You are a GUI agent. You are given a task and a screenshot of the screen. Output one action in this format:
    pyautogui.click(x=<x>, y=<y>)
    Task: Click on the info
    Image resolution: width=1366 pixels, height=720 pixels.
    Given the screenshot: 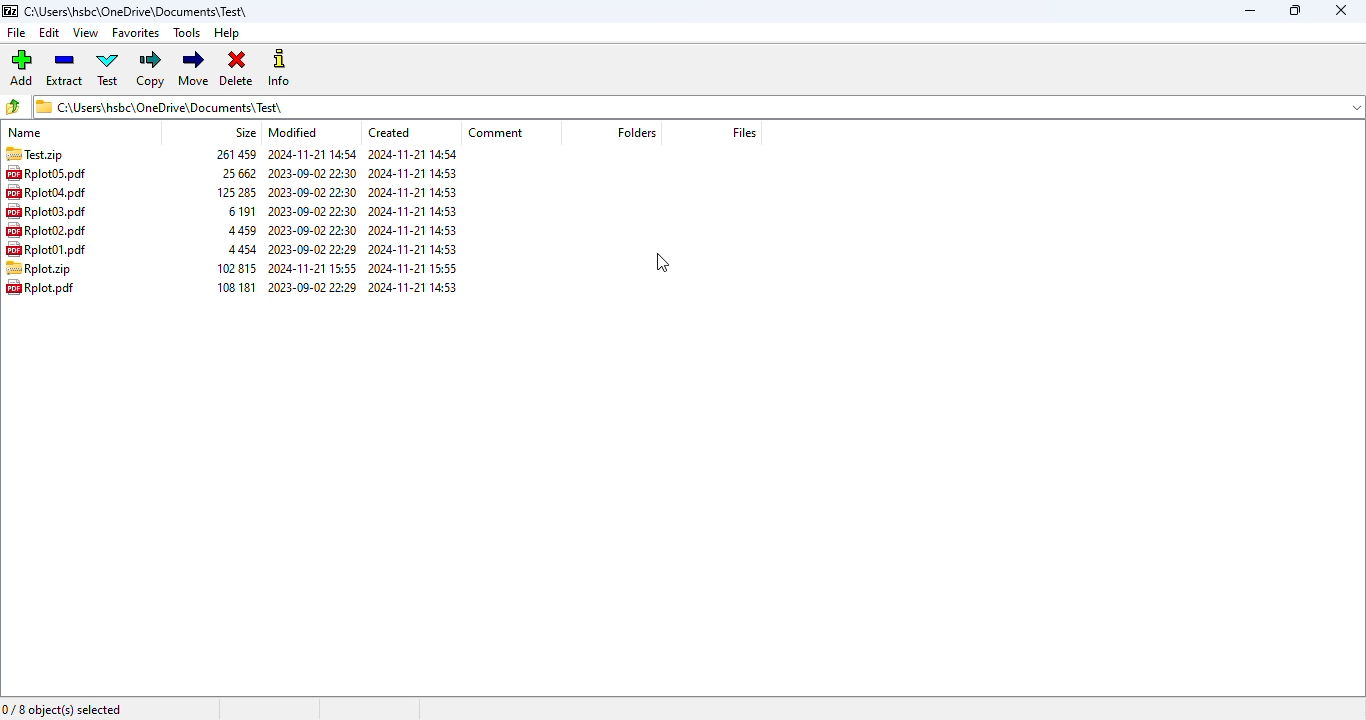 What is the action you would take?
    pyautogui.click(x=278, y=67)
    